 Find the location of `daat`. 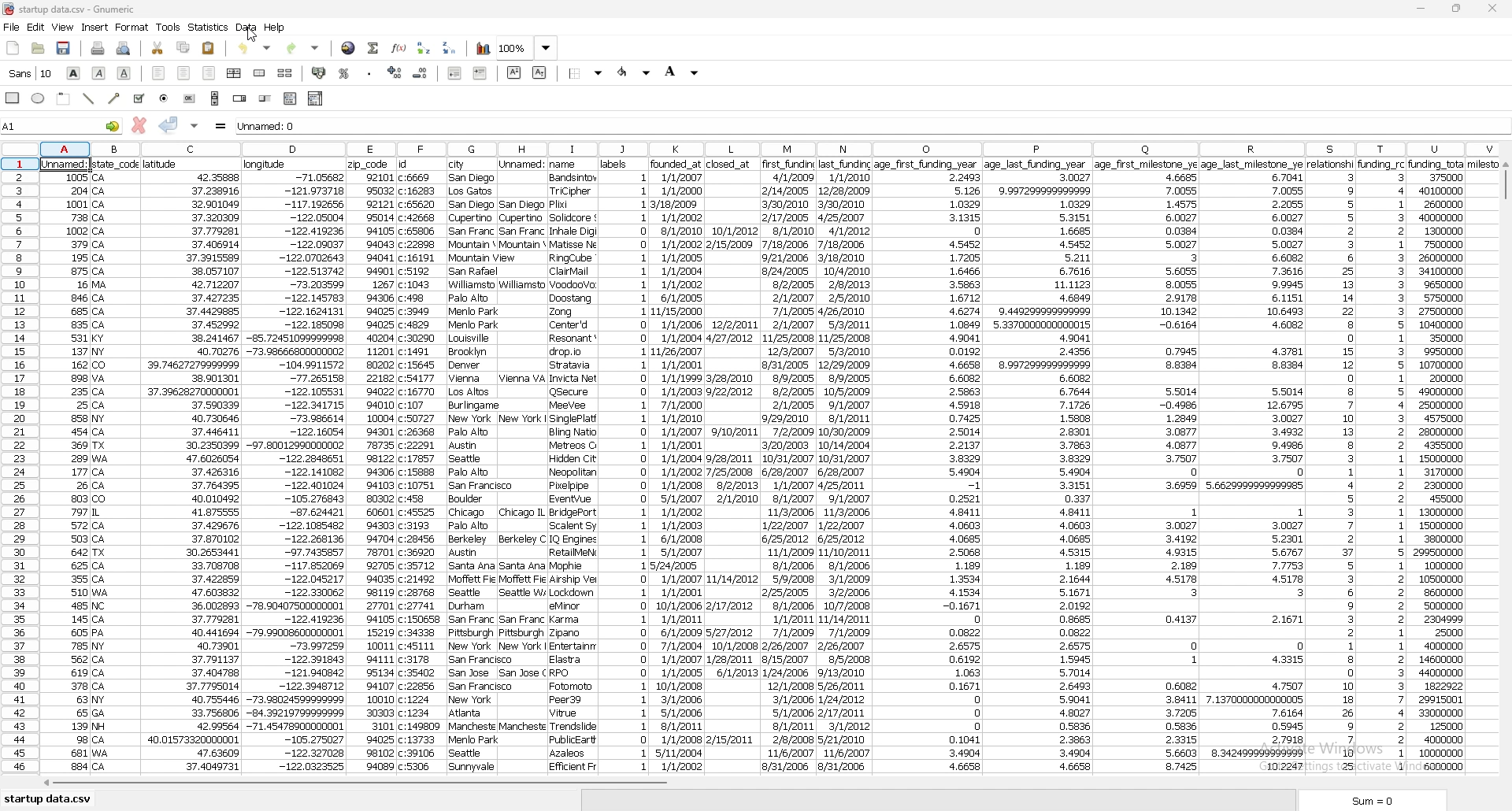

daat is located at coordinates (1147, 467).